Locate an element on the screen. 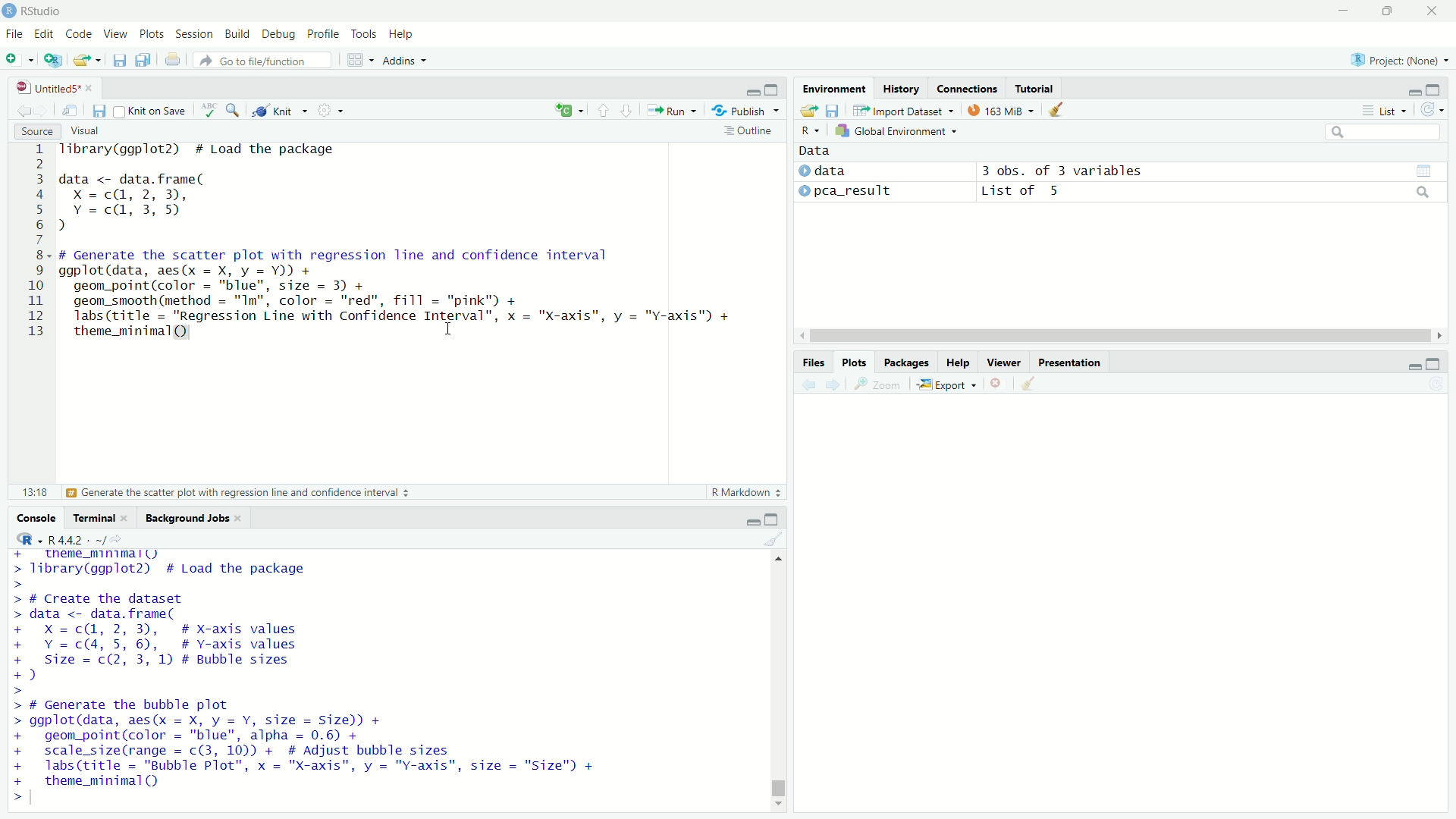 This screenshot has width=1456, height=819. minimize is located at coordinates (753, 92).